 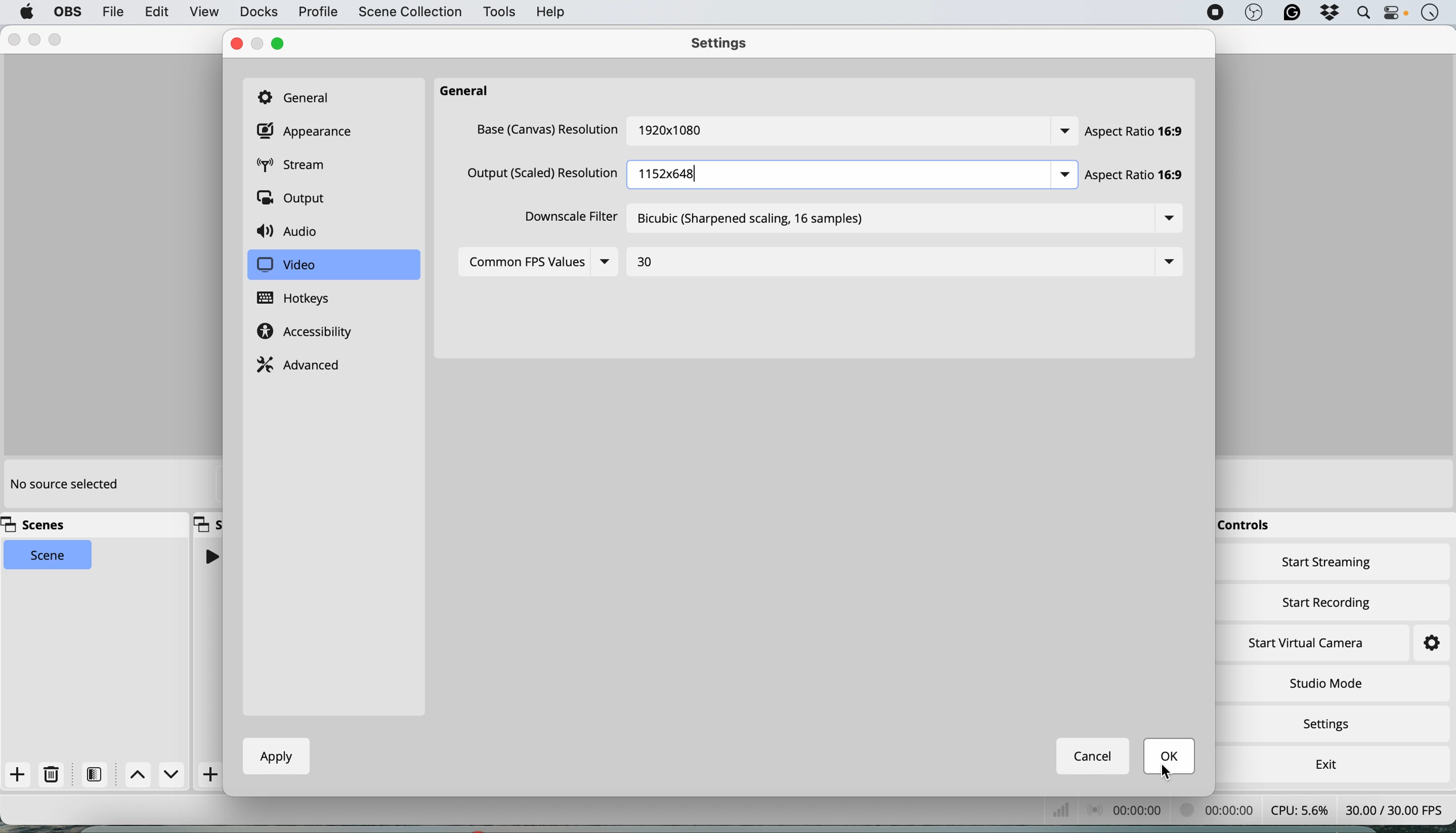 What do you see at coordinates (1394, 808) in the screenshot?
I see `frames per second` at bounding box center [1394, 808].